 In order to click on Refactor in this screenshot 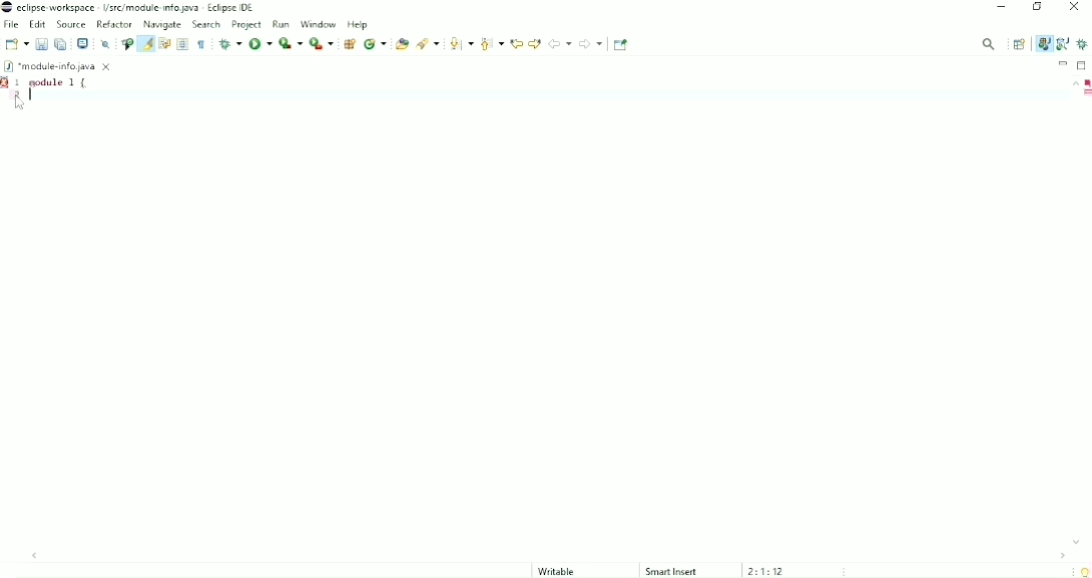, I will do `click(114, 24)`.